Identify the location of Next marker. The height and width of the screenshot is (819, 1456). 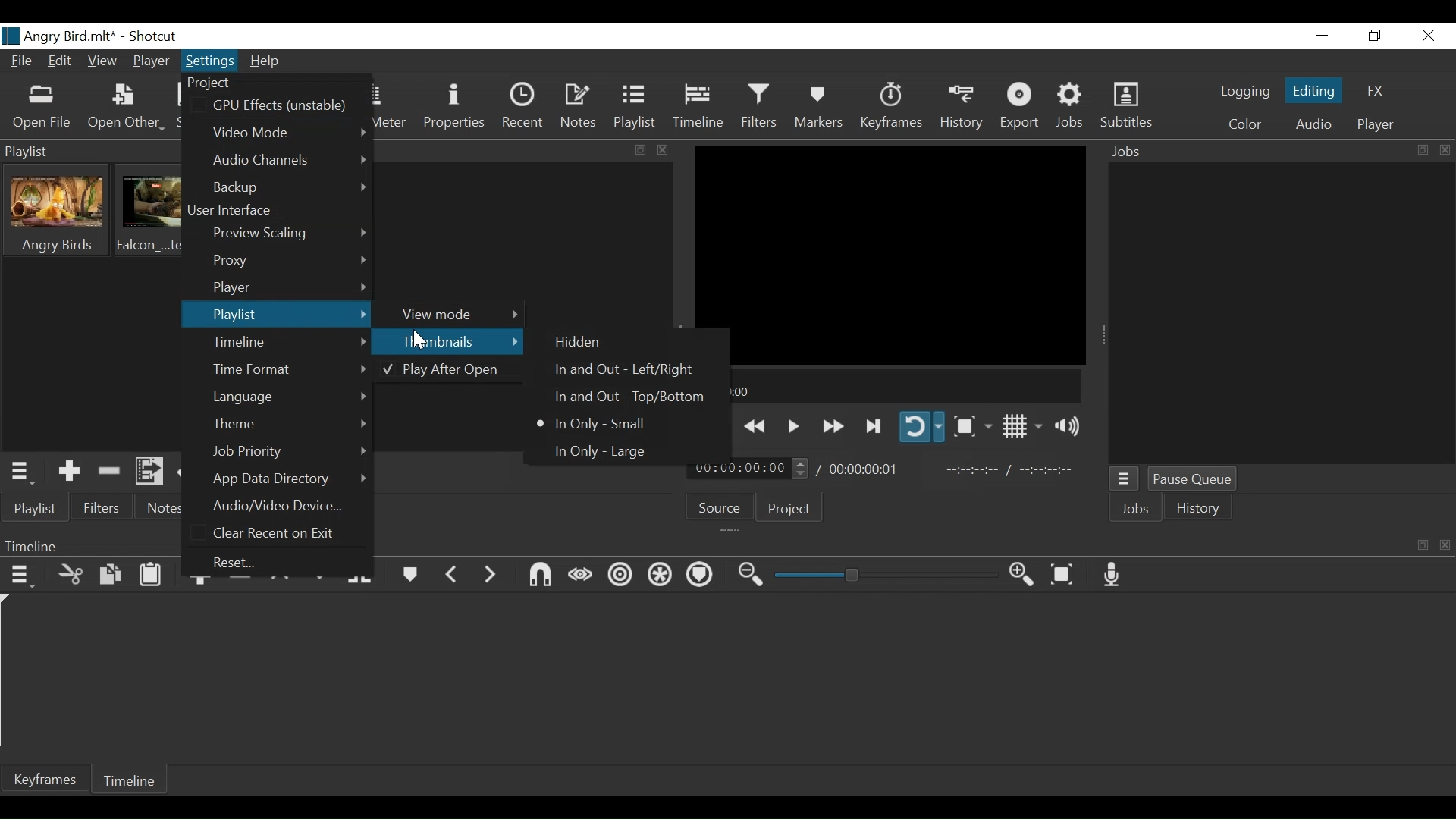
(489, 580).